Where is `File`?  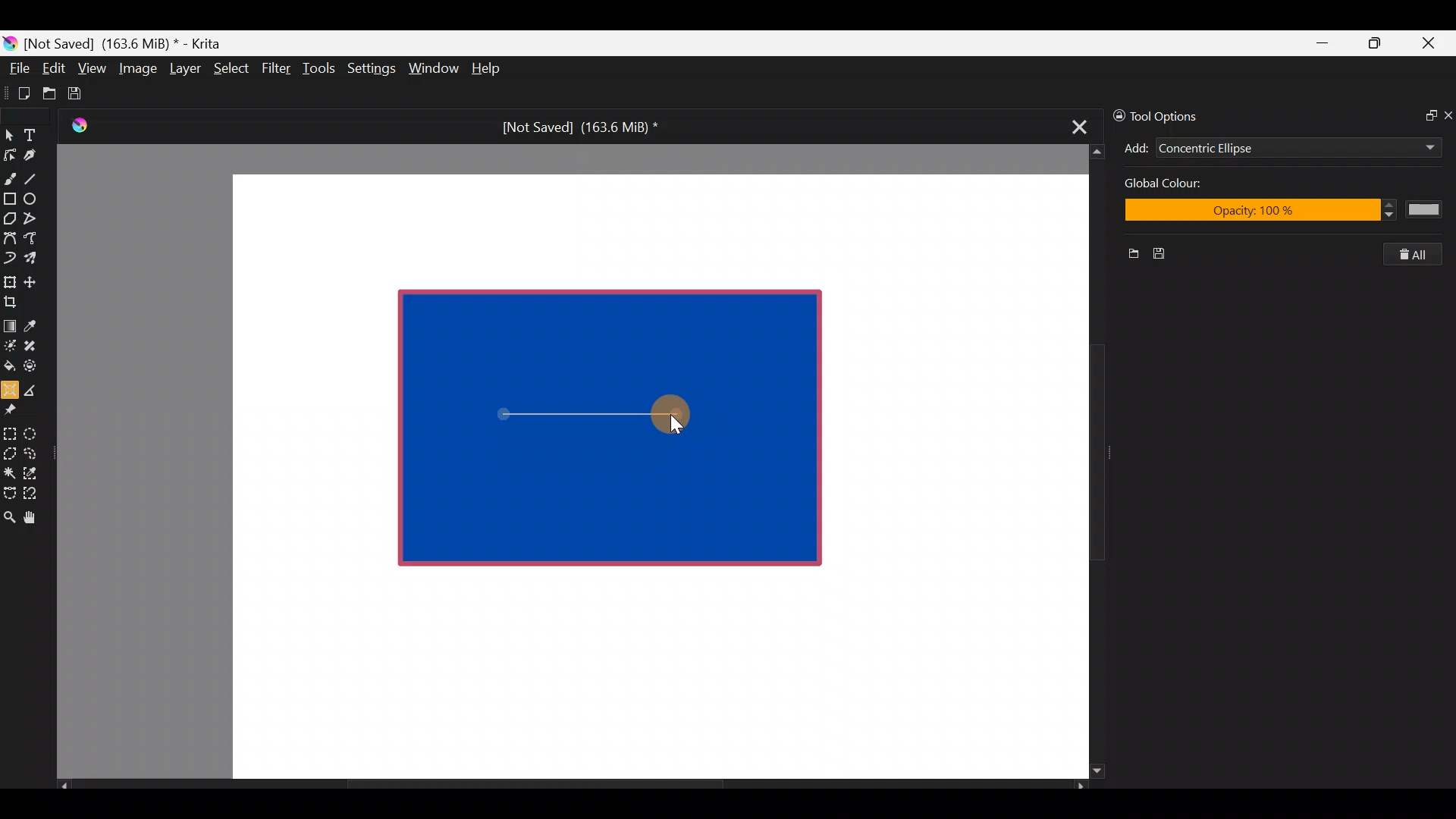
File is located at coordinates (15, 71).